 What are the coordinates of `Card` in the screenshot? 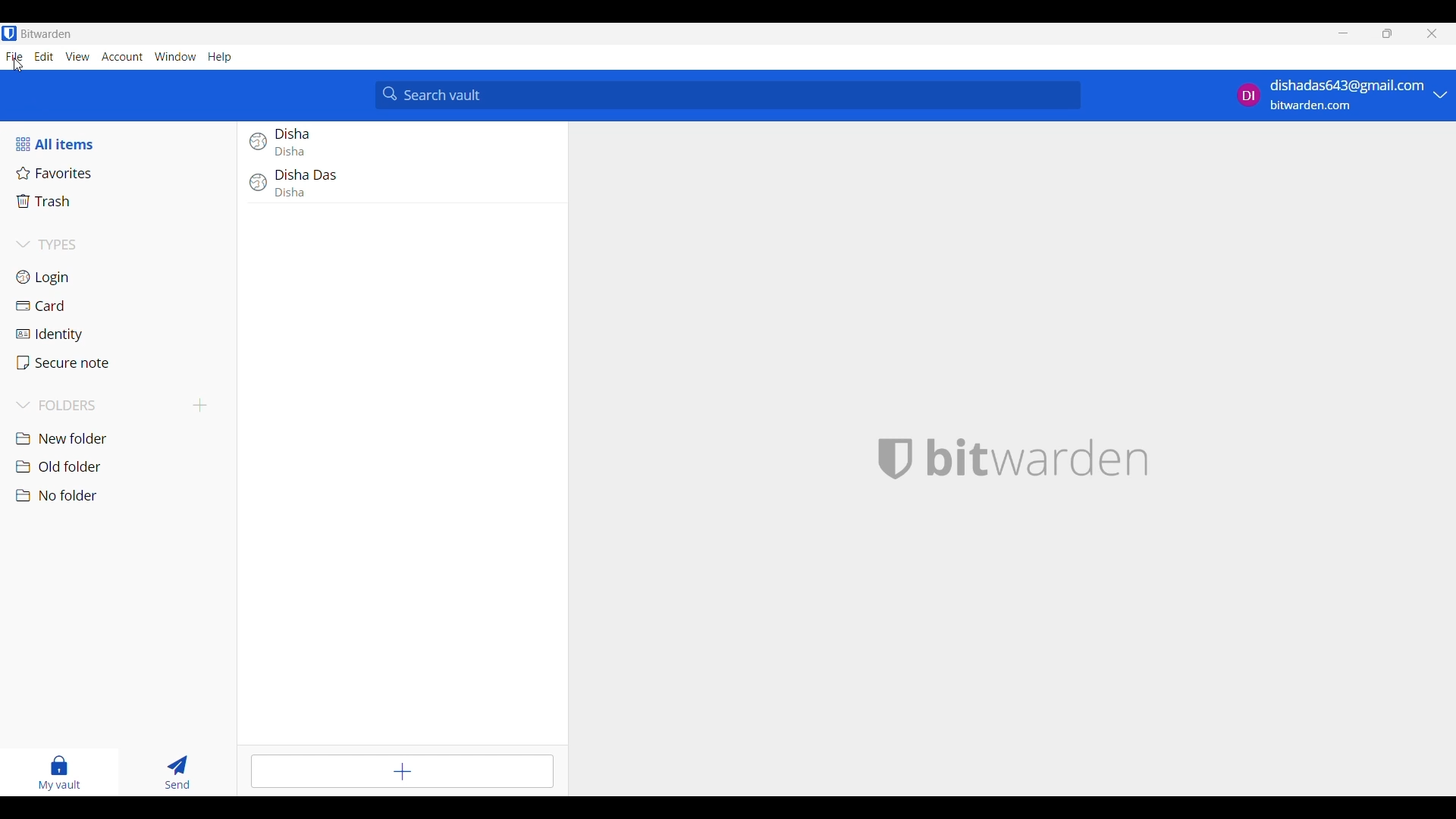 It's located at (122, 306).